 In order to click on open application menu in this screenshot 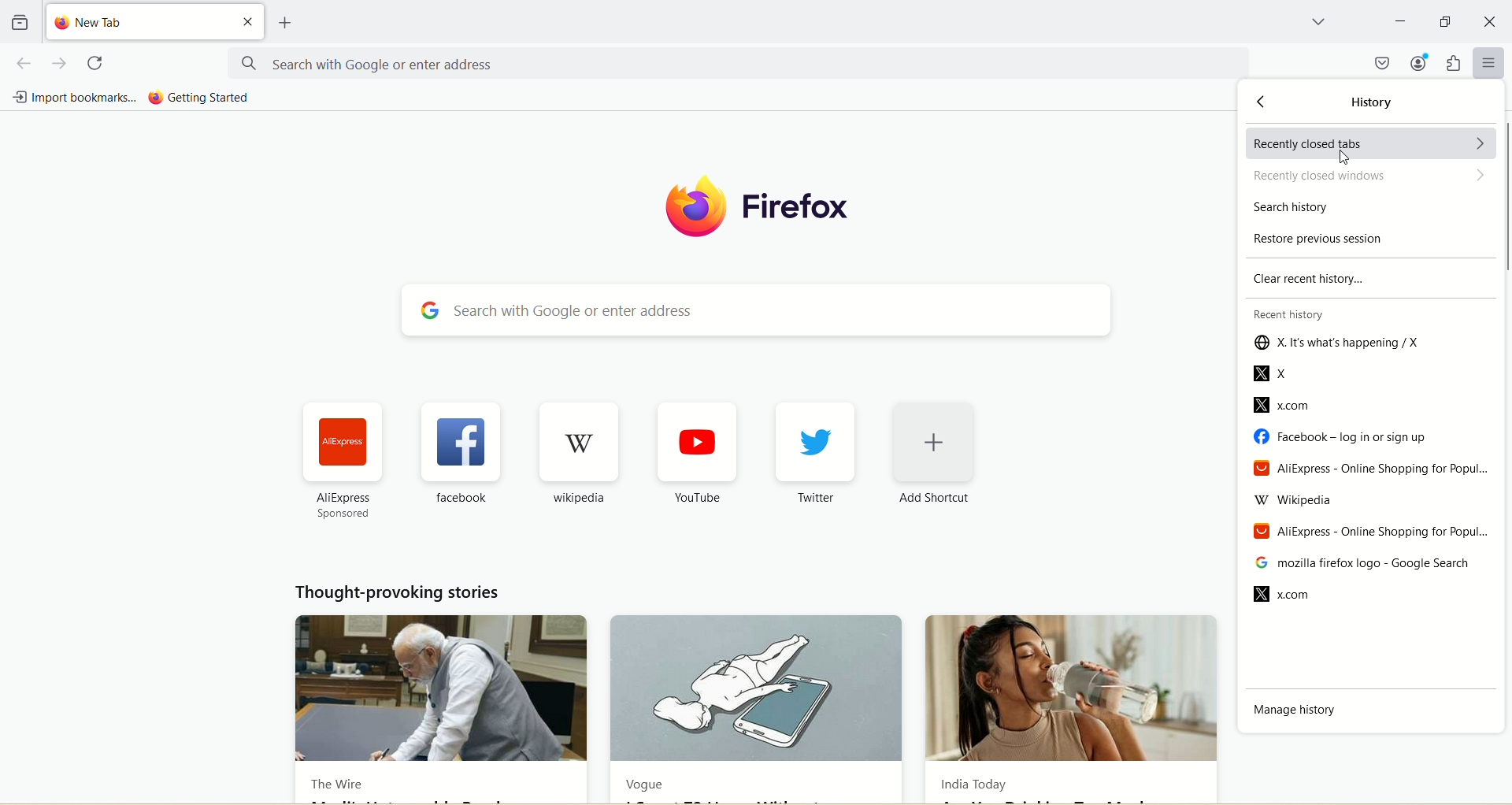, I will do `click(1488, 62)`.